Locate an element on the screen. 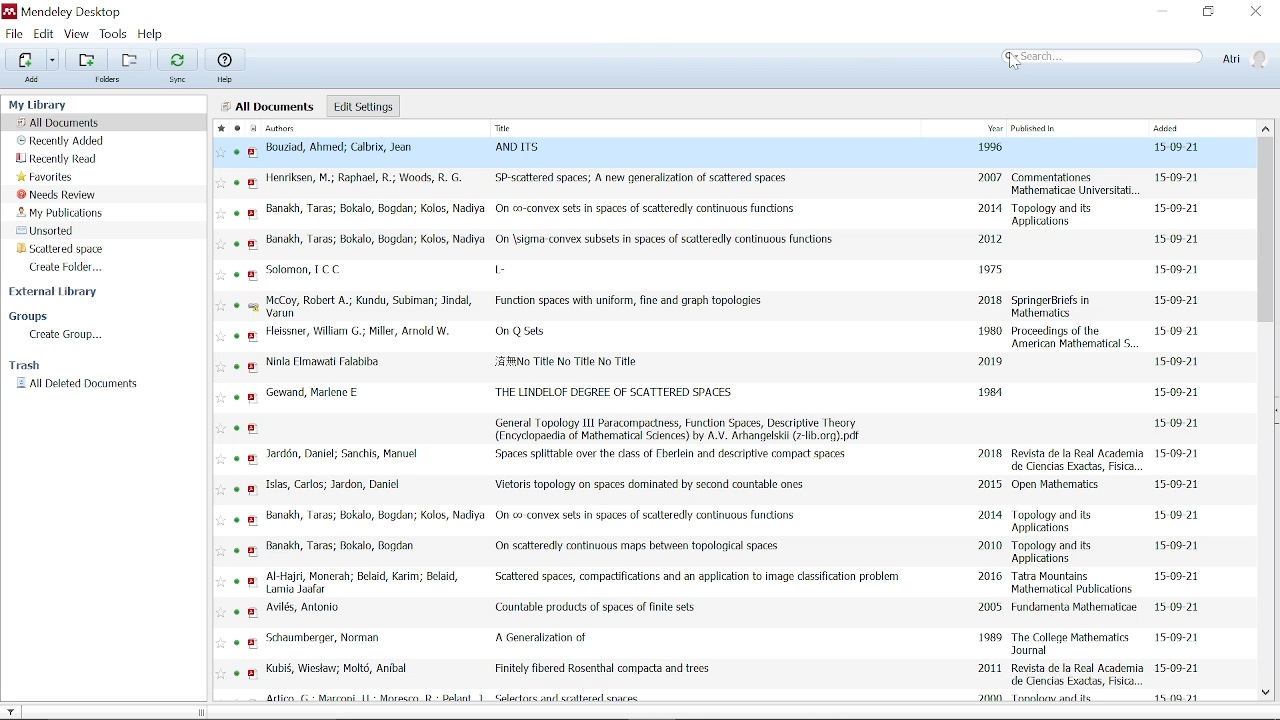  Mendeley desktop is located at coordinates (71, 12).